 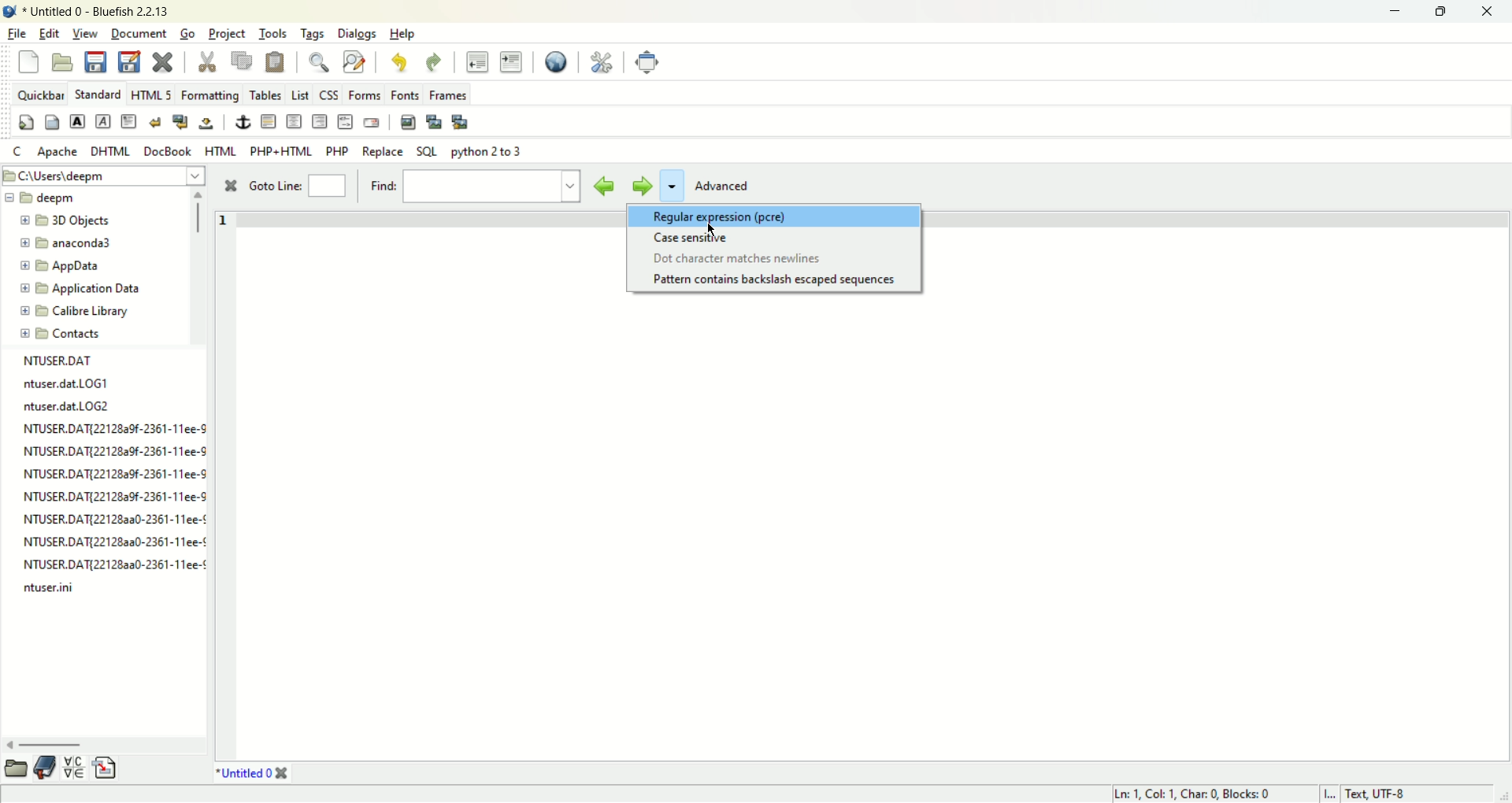 I want to click on NTUSER.DAT{22128aa0-2361-11ee-¢, so click(x=116, y=561).